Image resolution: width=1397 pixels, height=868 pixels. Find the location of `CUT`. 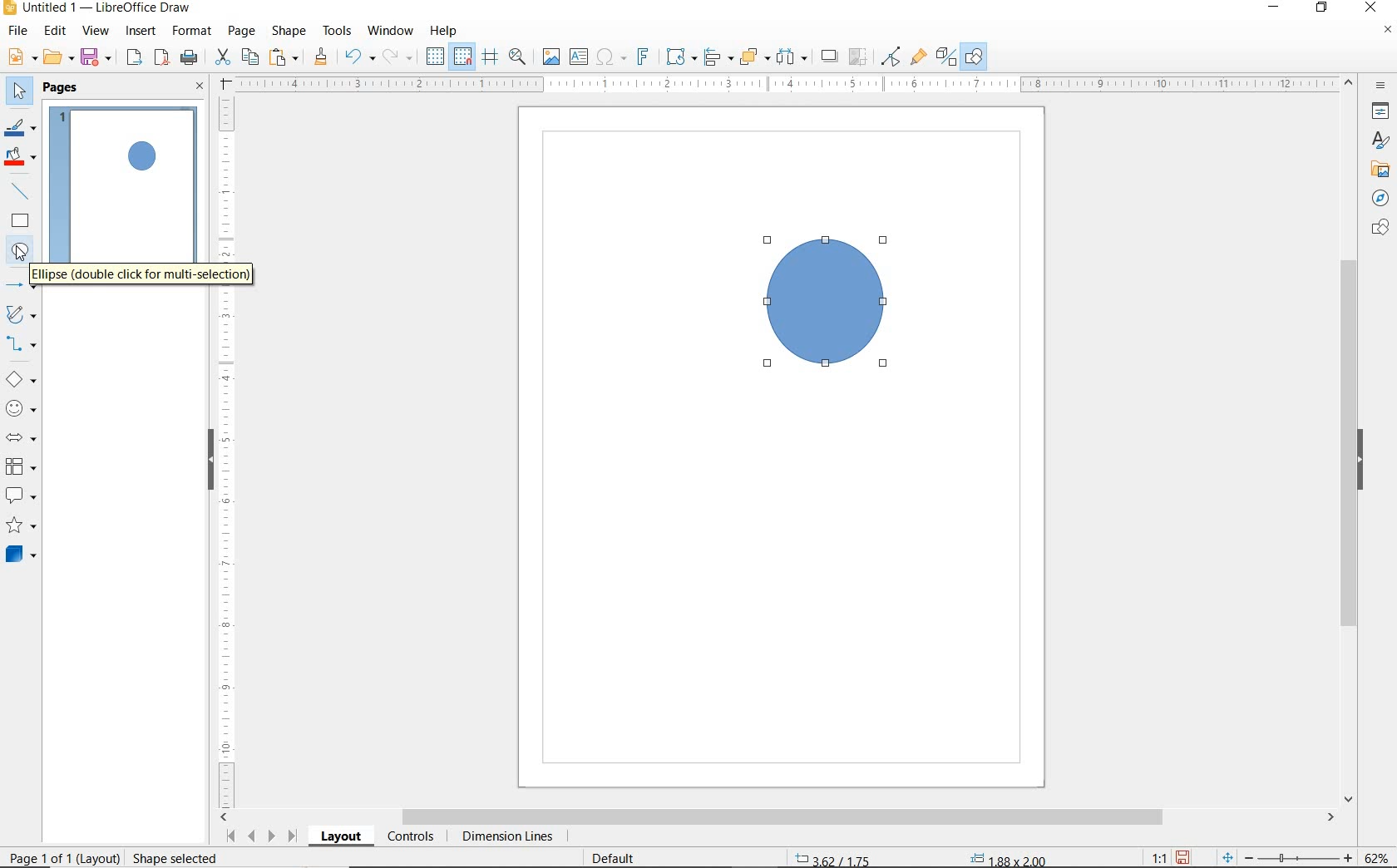

CUT is located at coordinates (223, 57).